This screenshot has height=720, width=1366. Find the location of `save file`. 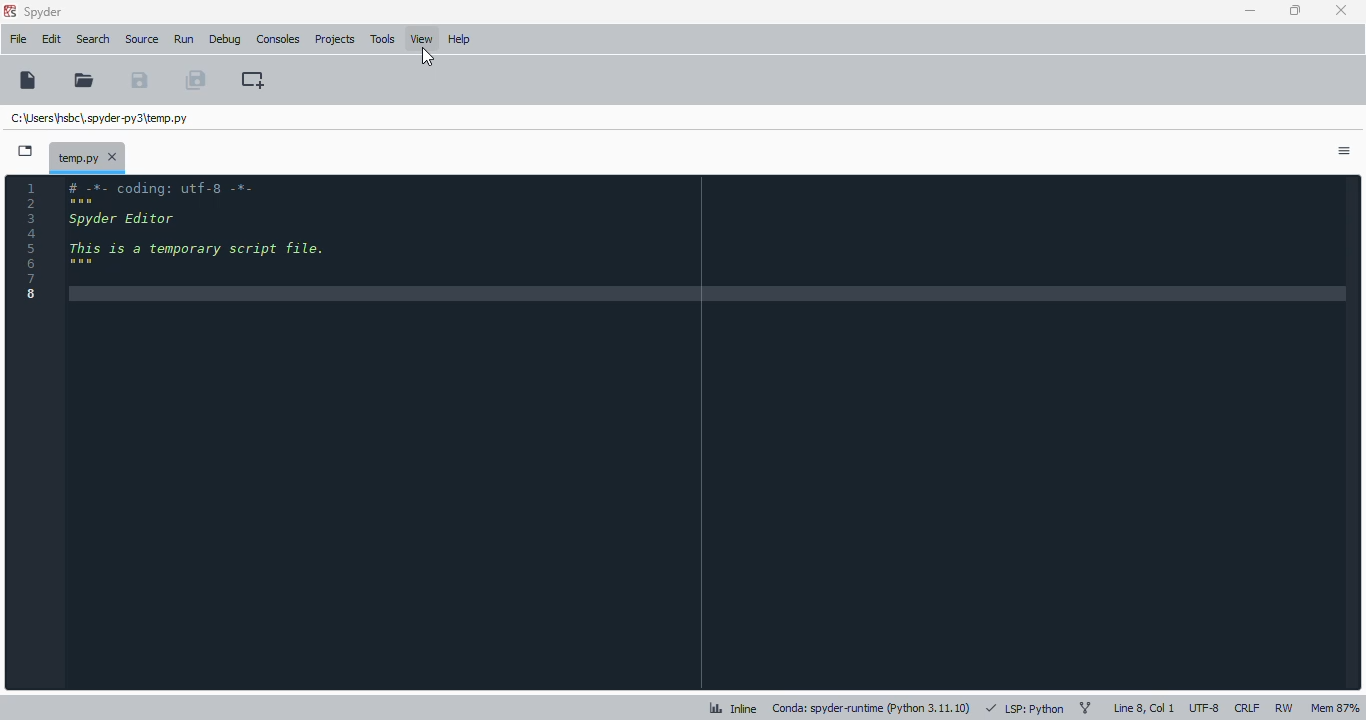

save file is located at coordinates (139, 80).